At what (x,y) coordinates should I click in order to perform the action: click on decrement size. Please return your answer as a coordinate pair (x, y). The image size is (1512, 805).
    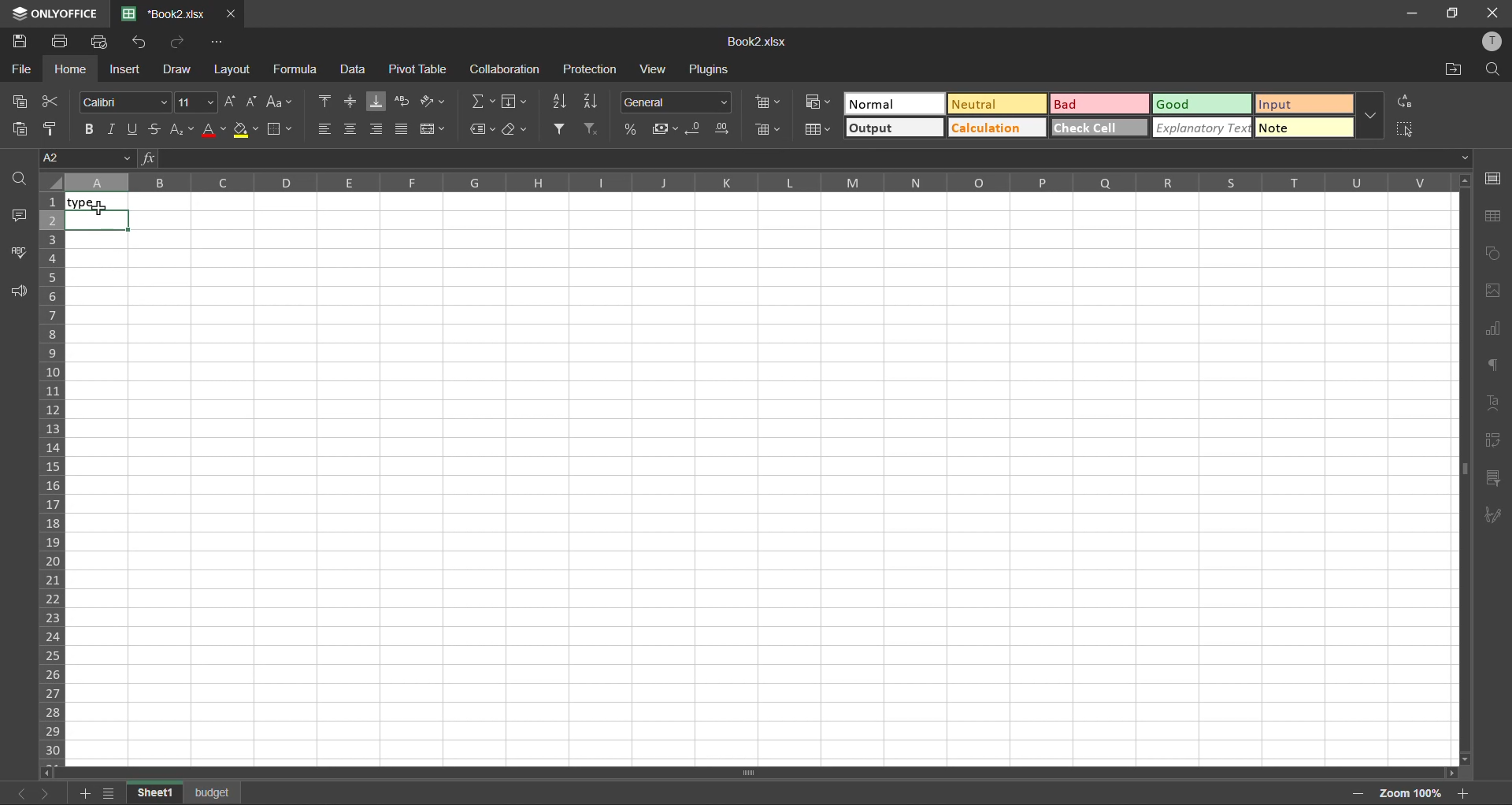
    Looking at the image, I should click on (254, 102).